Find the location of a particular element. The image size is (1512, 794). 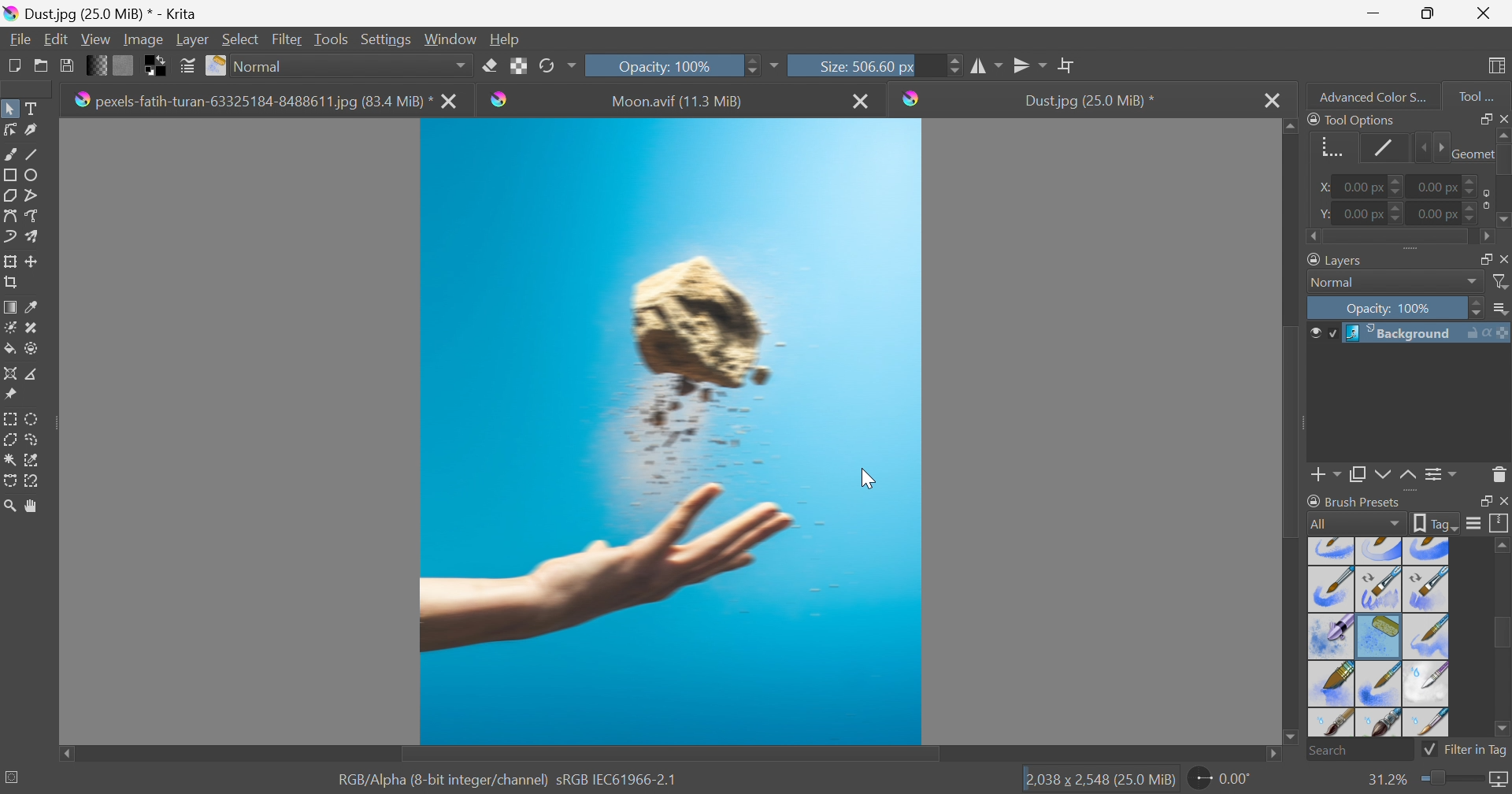

0.00 px is located at coordinates (1361, 187).